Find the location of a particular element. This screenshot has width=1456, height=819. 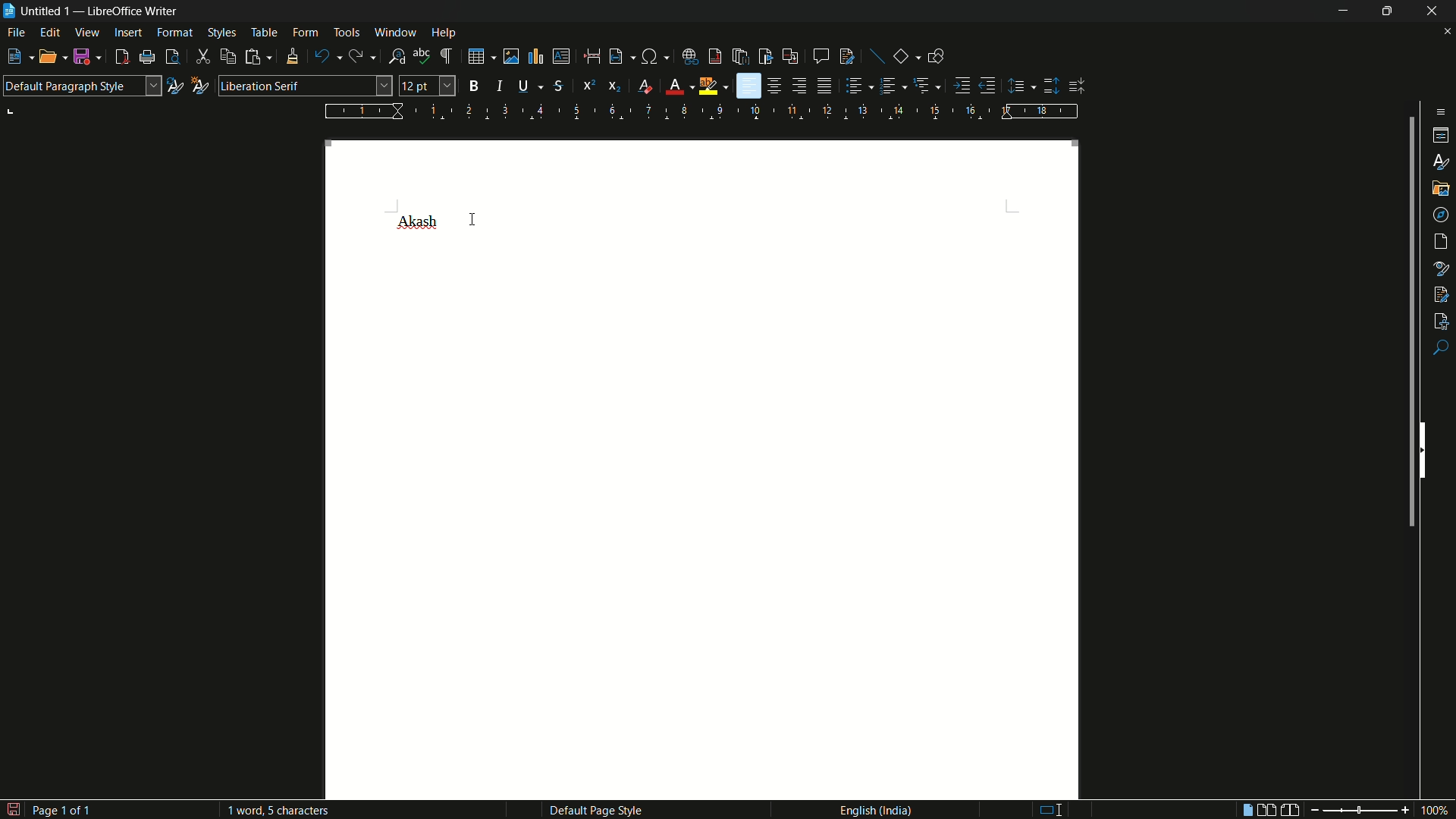

single page is located at coordinates (1244, 811).